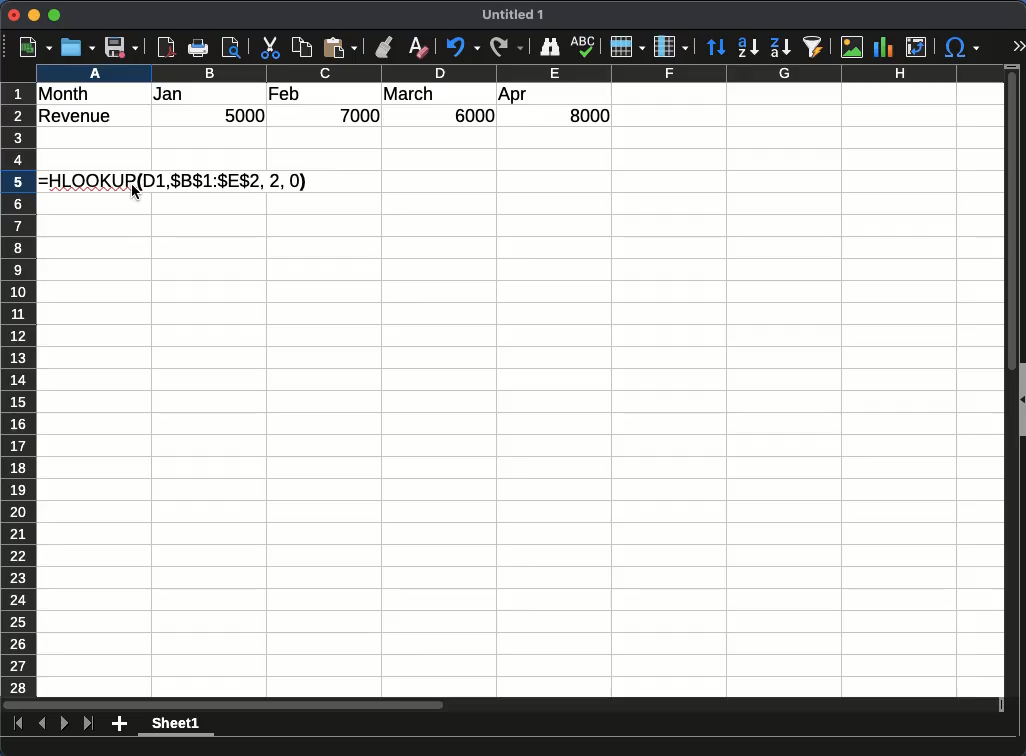 The width and height of the screenshot is (1026, 756). Describe the element at coordinates (471, 115) in the screenshot. I see `6000` at that location.